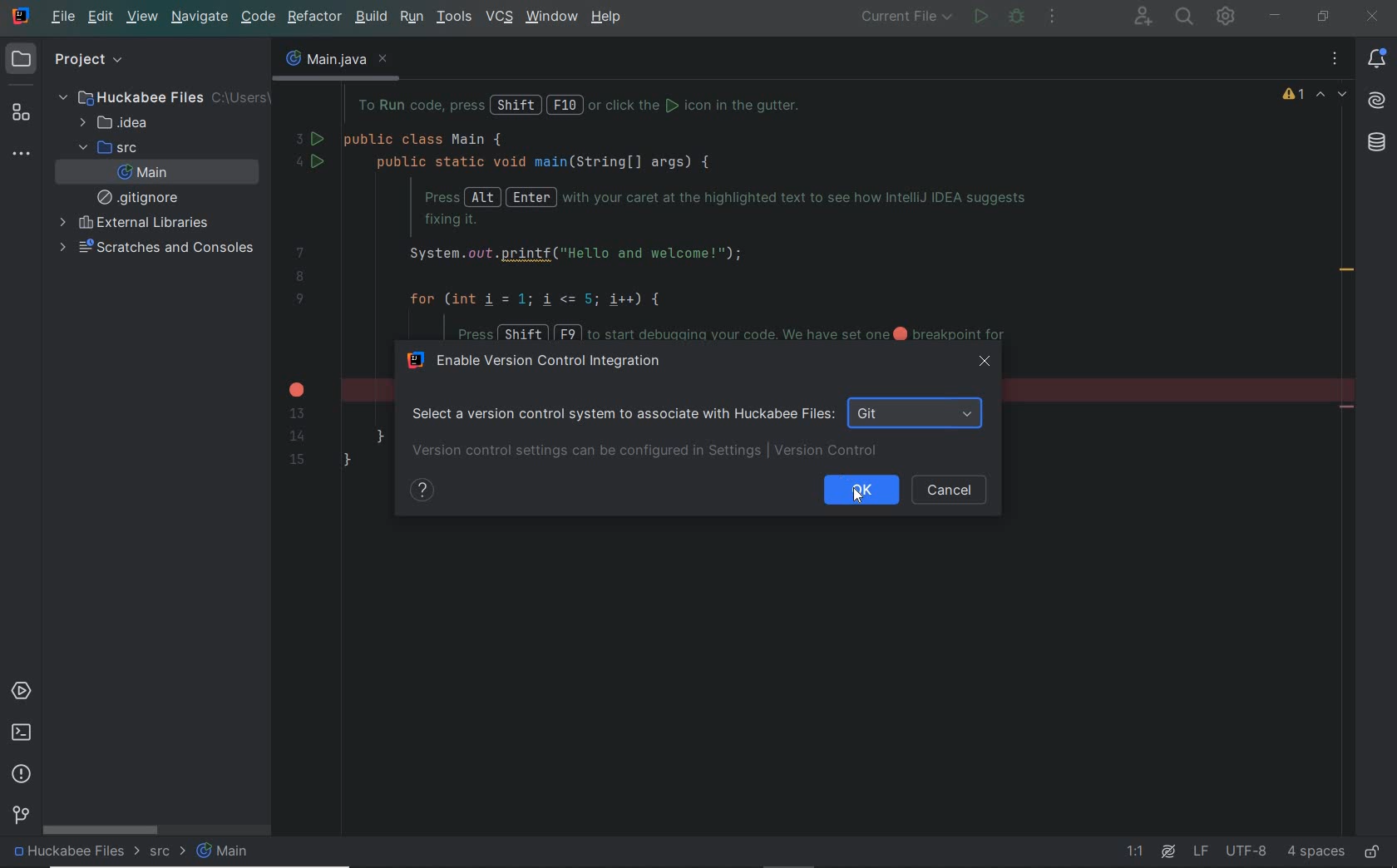 The width and height of the screenshot is (1397, 868). I want to click on window, so click(551, 17).